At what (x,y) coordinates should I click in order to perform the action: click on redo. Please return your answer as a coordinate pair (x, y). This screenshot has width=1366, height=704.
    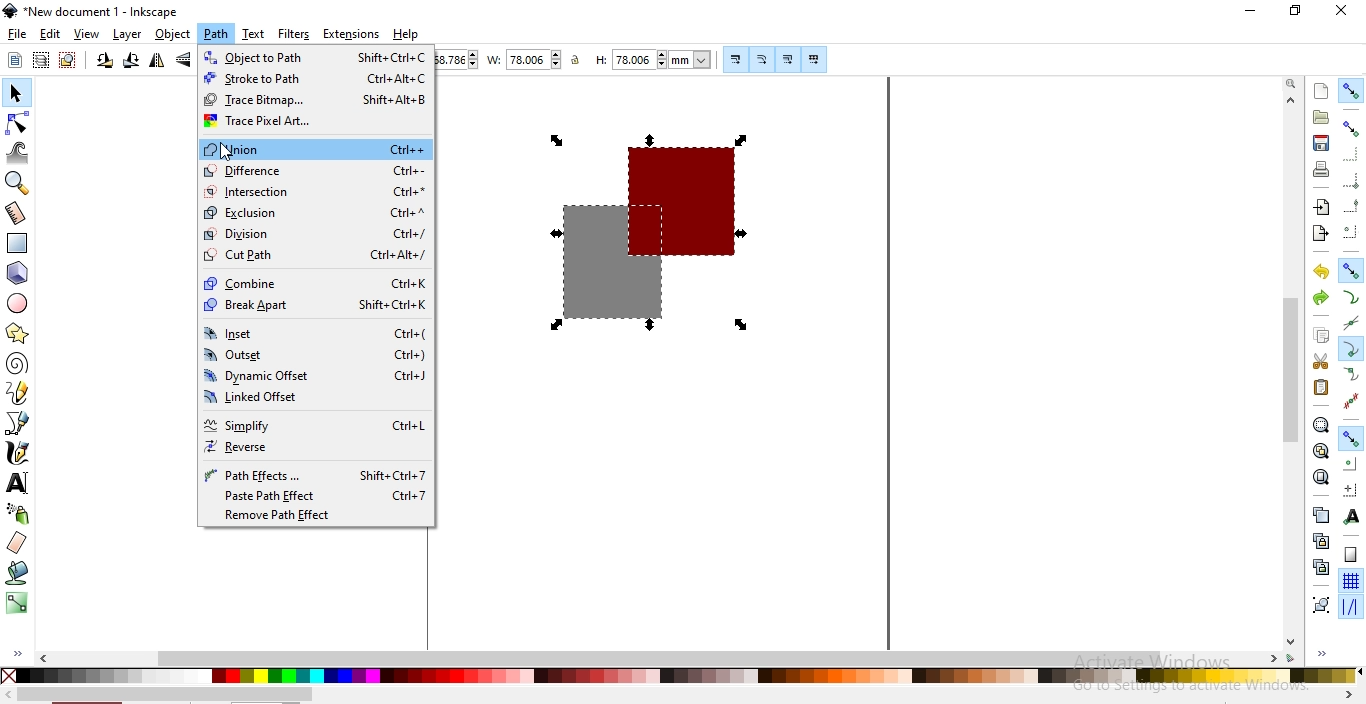
    Looking at the image, I should click on (1320, 297).